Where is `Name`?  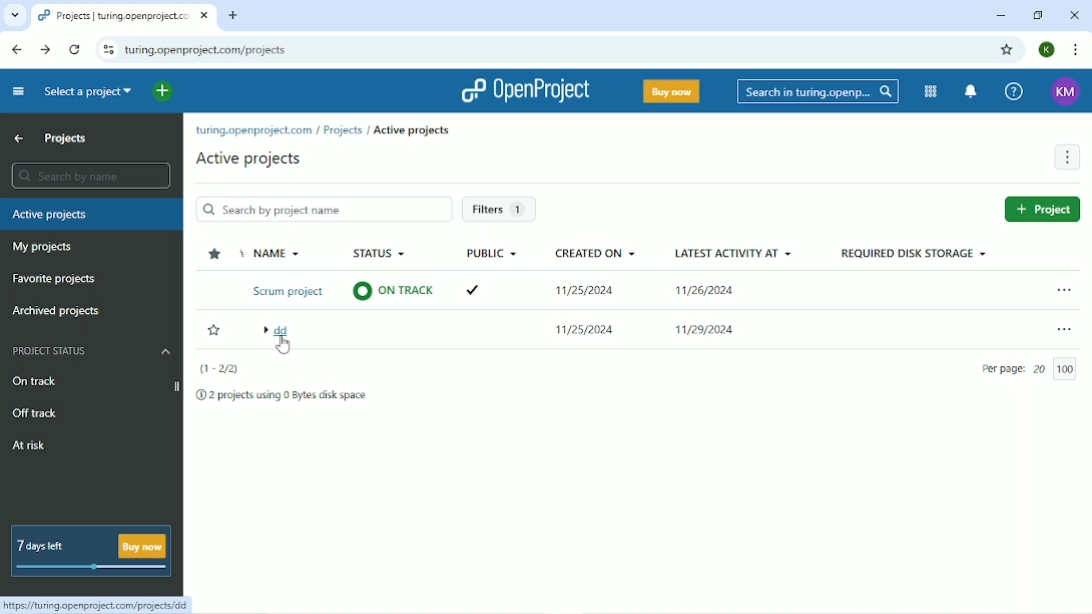
Name is located at coordinates (272, 255).